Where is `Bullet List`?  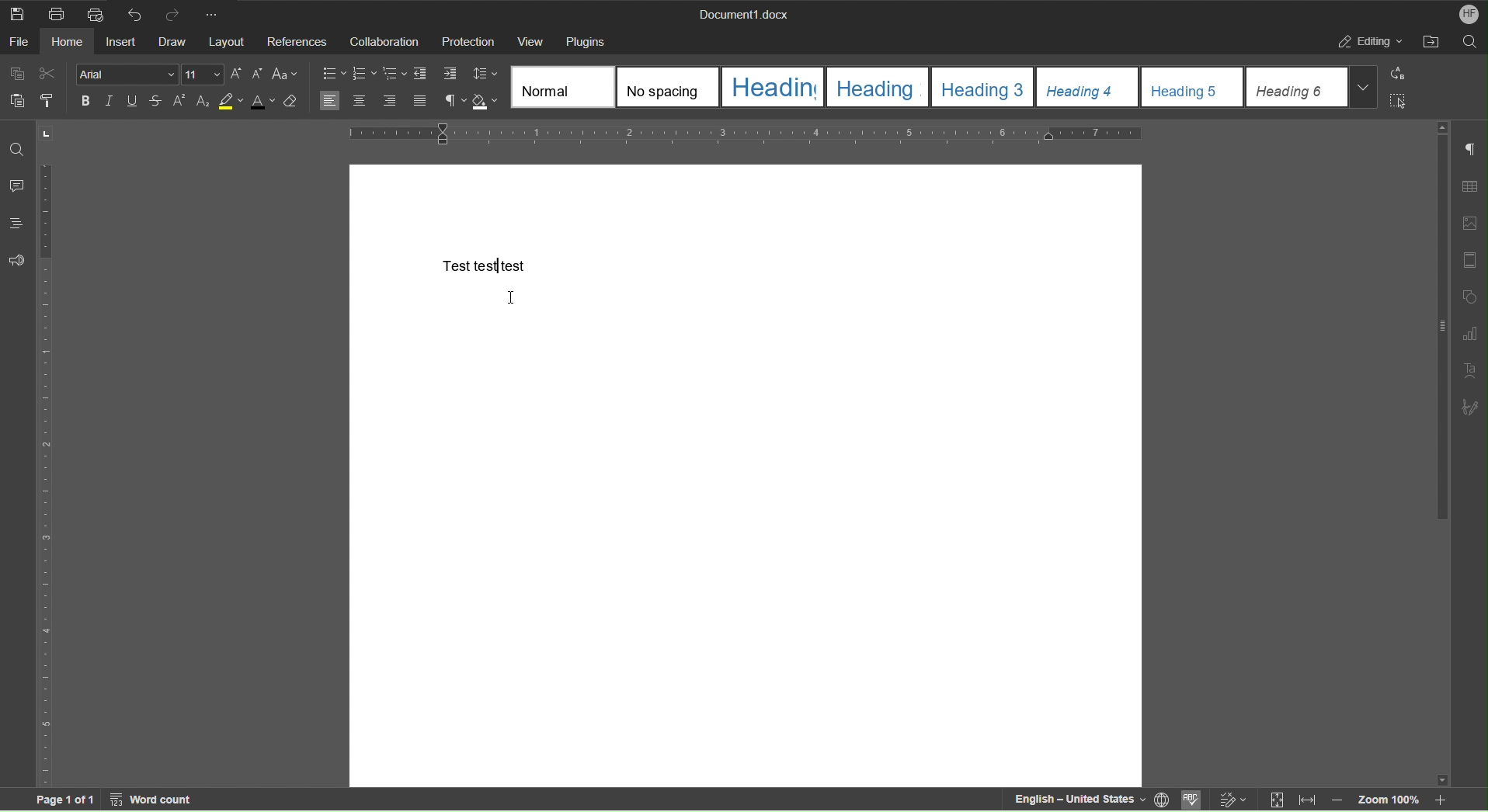
Bullet List is located at coordinates (335, 74).